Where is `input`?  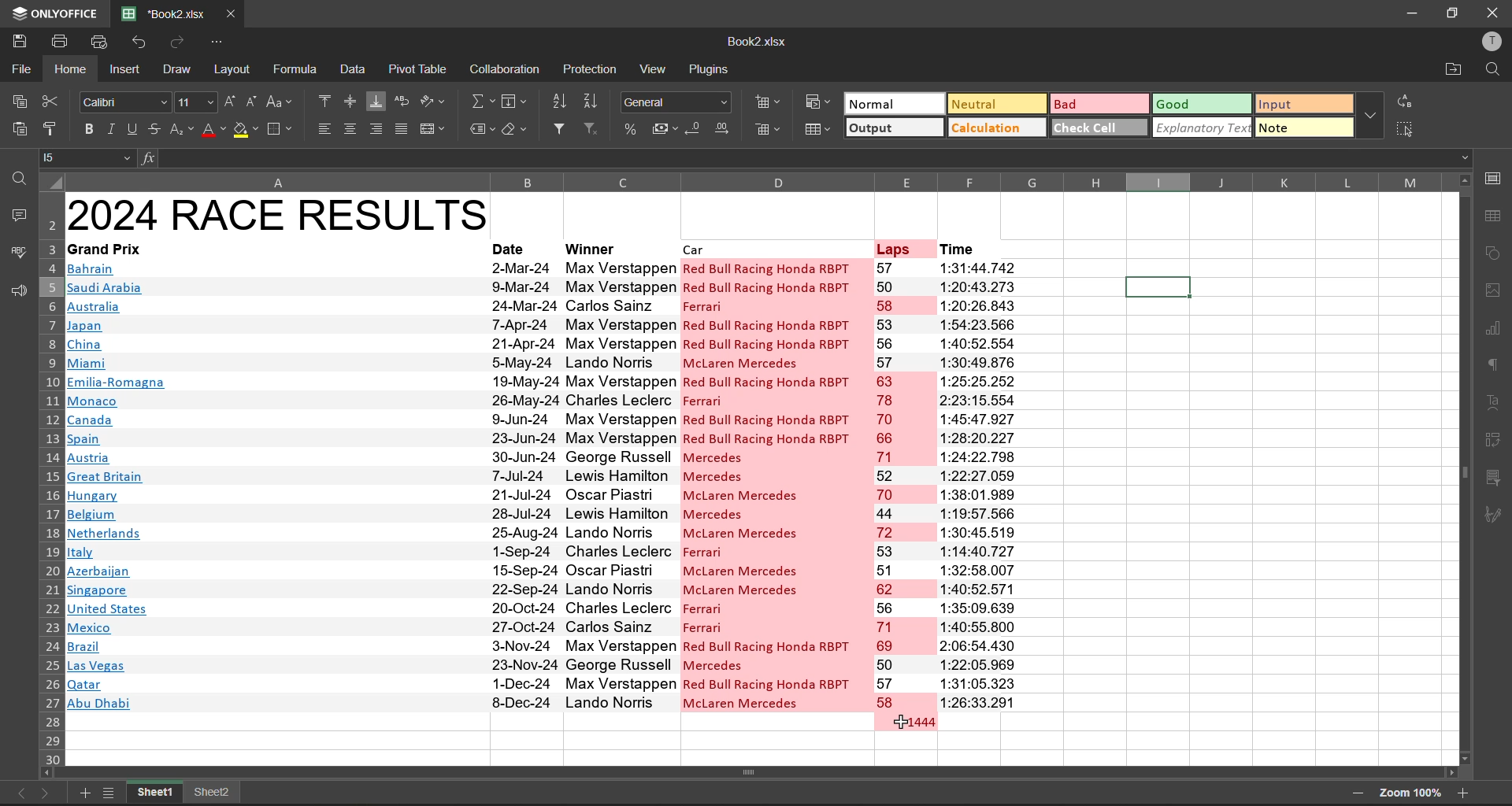 input is located at coordinates (1301, 105).